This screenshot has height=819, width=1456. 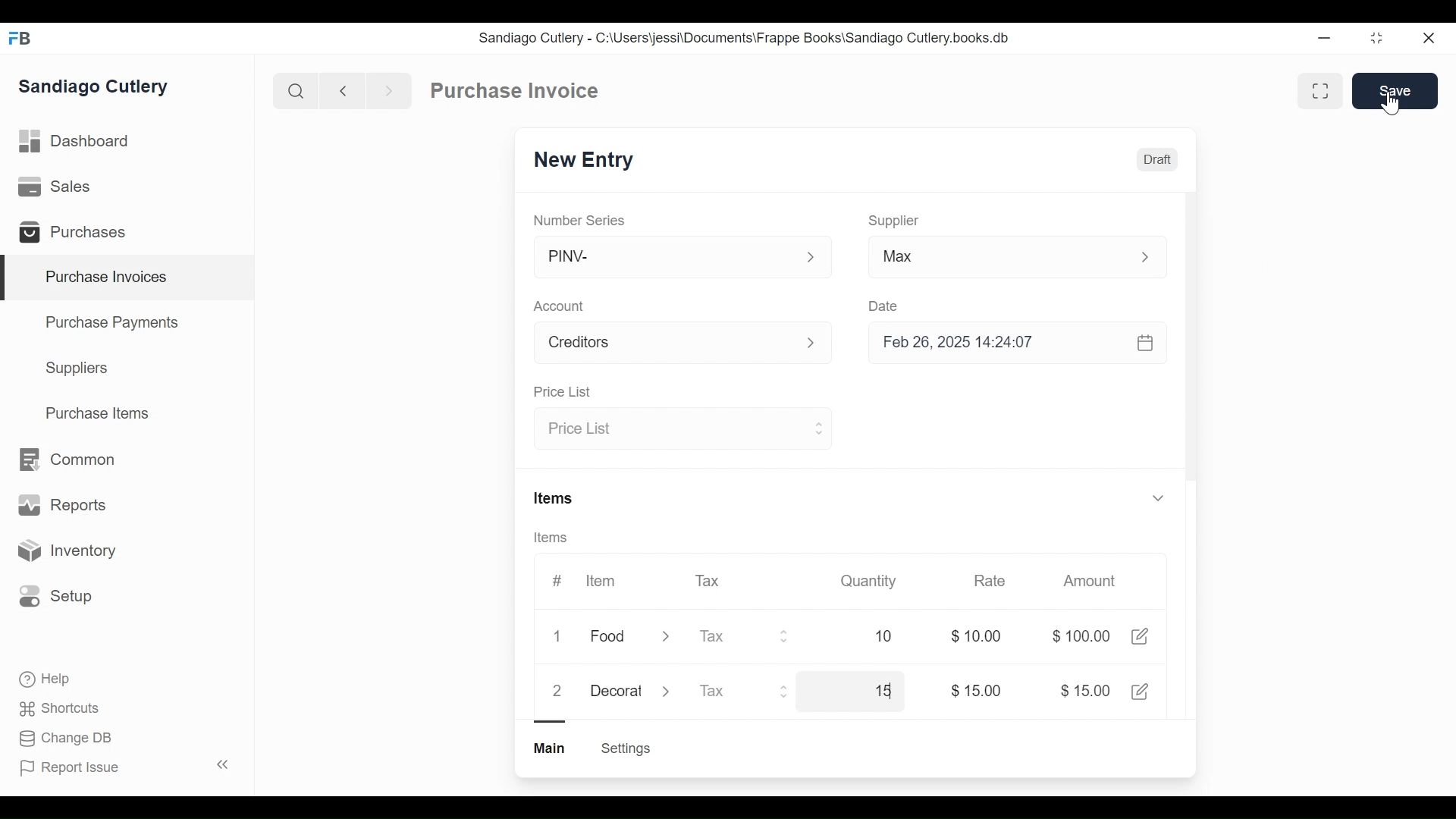 What do you see at coordinates (610, 638) in the screenshot?
I see `Food` at bounding box center [610, 638].